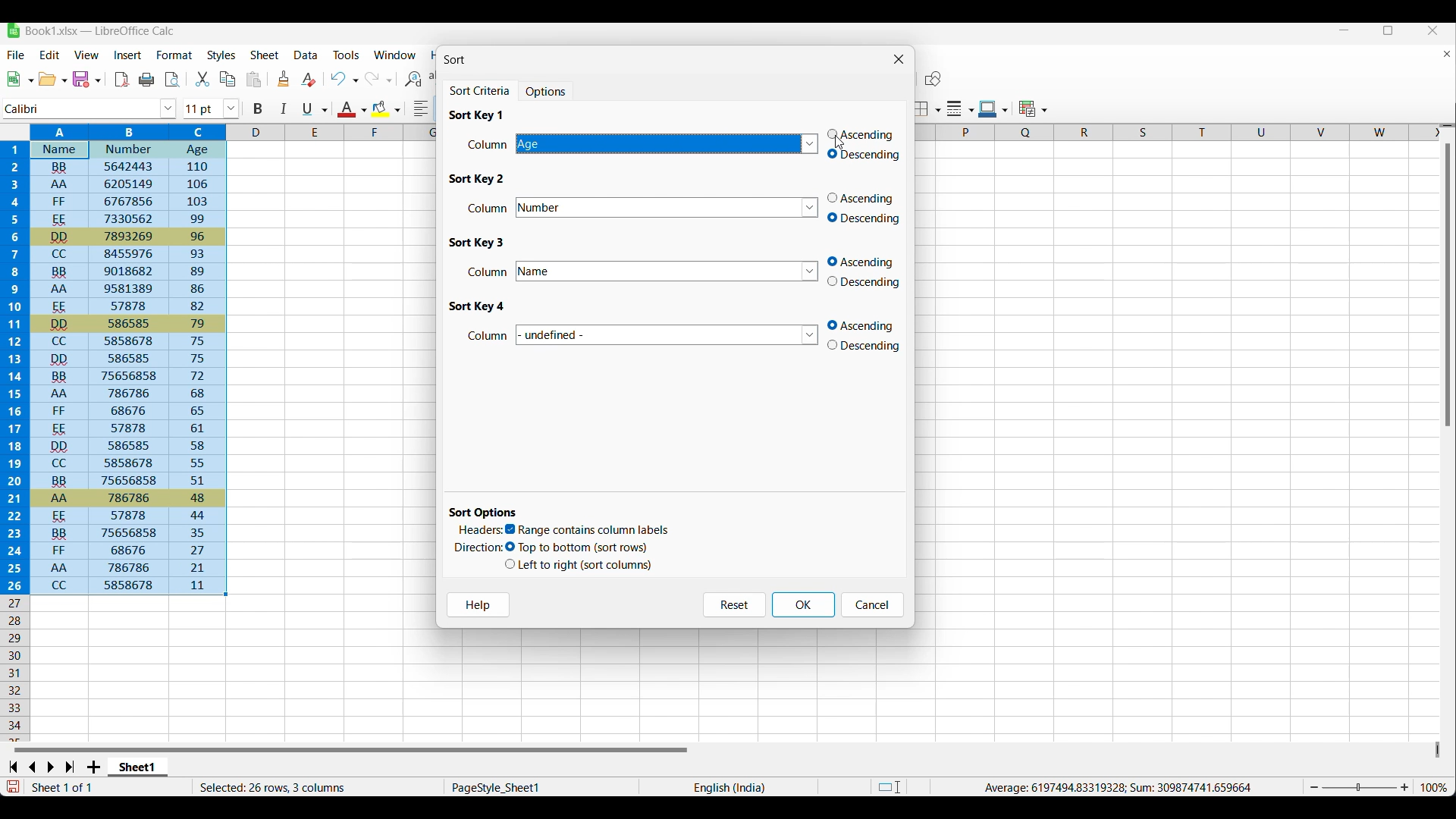 This screenshot has height=819, width=1456. I want to click on Zoom out, so click(1314, 787).